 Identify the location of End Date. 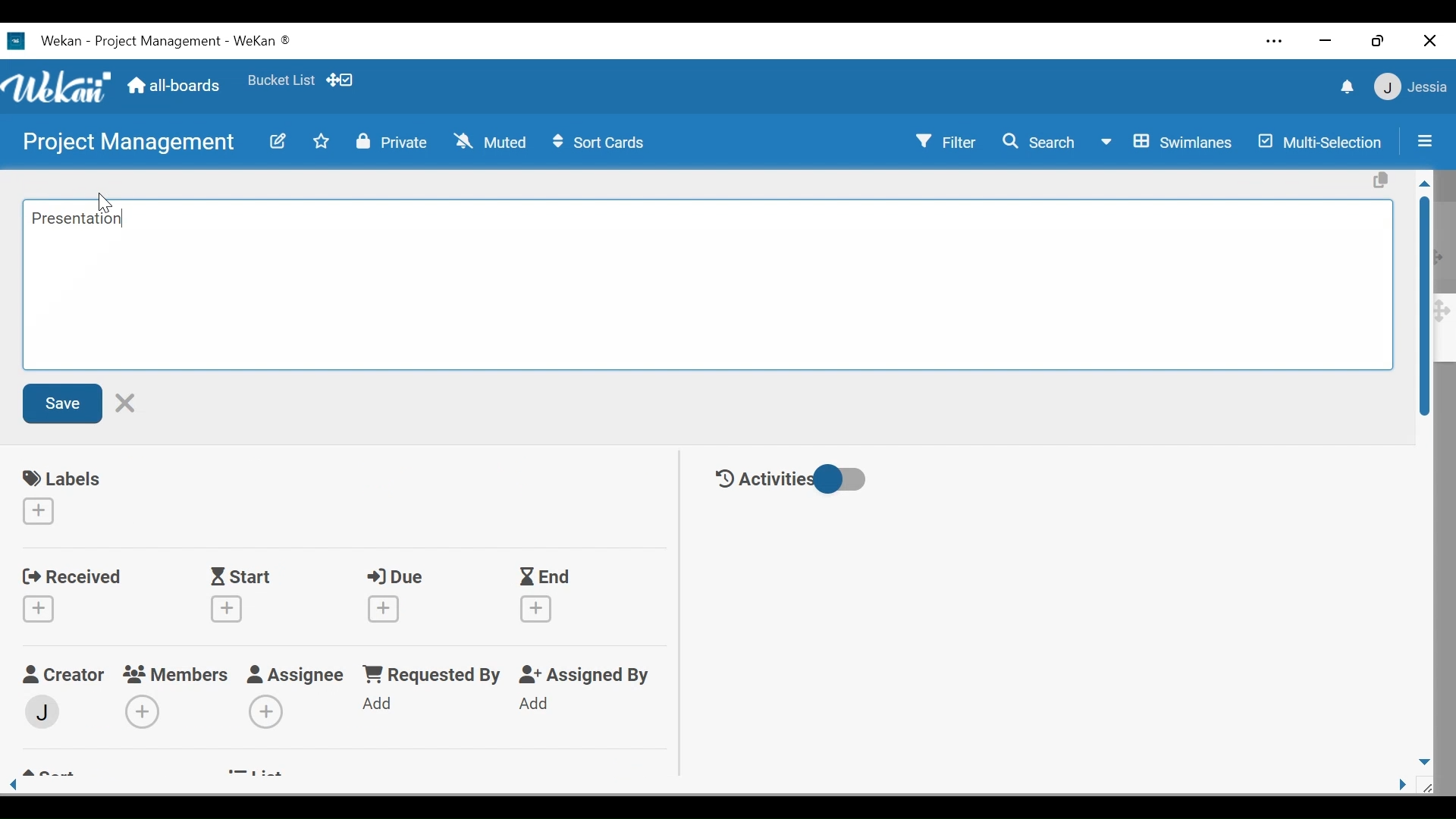
(547, 576).